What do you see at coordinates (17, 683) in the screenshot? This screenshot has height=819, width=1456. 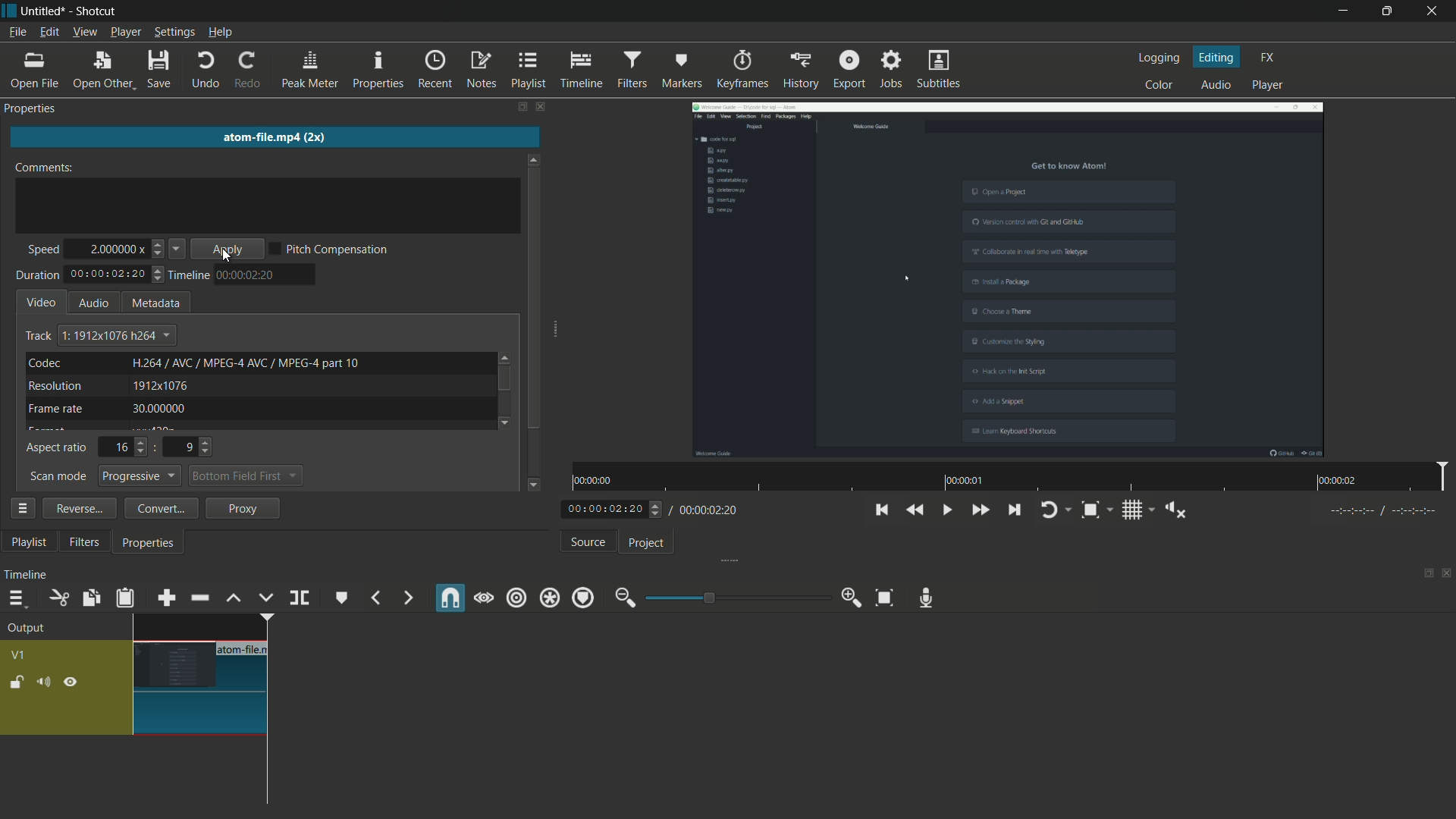 I see `lock` at bounding box center [17, 683].